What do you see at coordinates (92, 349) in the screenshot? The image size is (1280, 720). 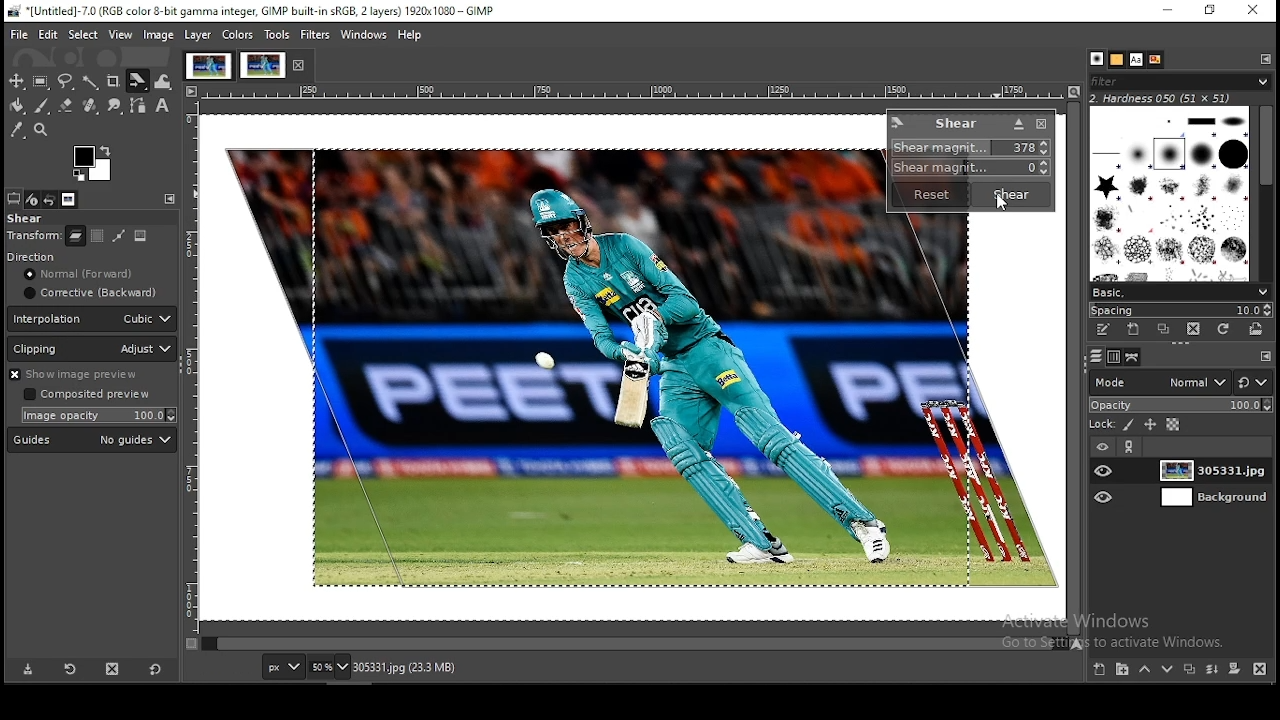 I see `clipping` at bounding box center [92, 349].